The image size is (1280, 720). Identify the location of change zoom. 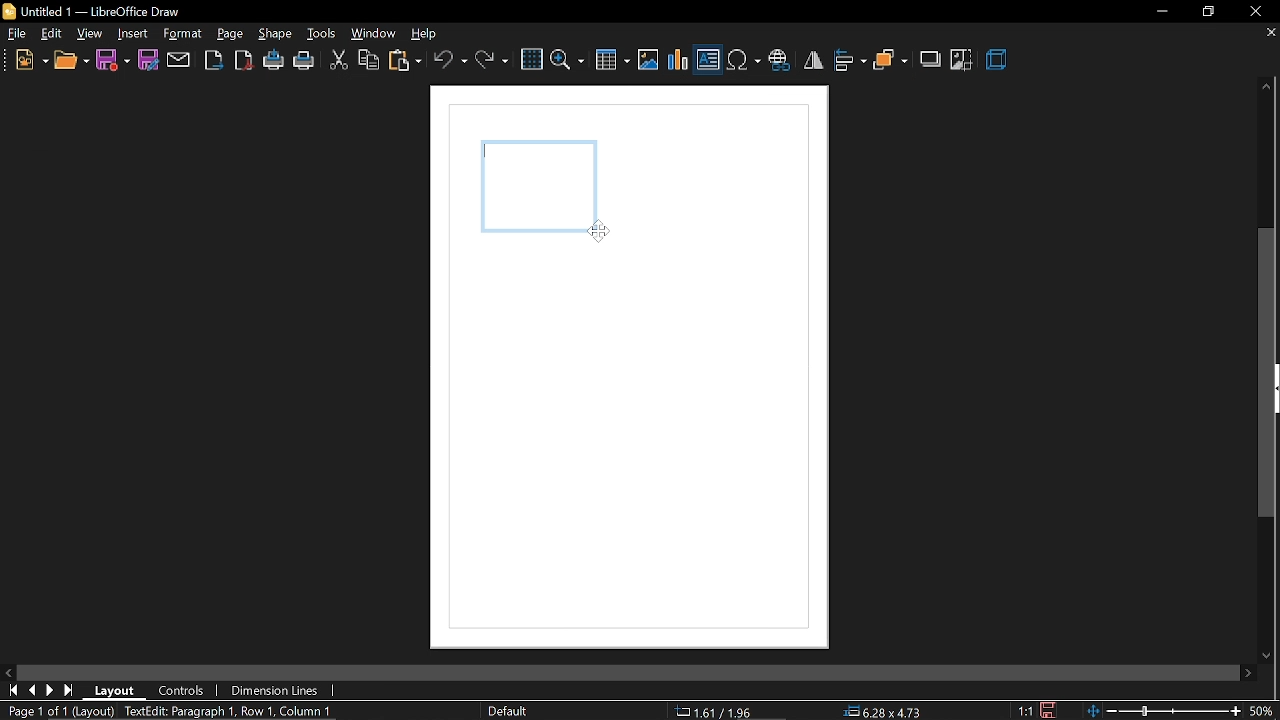
(1166, 711).